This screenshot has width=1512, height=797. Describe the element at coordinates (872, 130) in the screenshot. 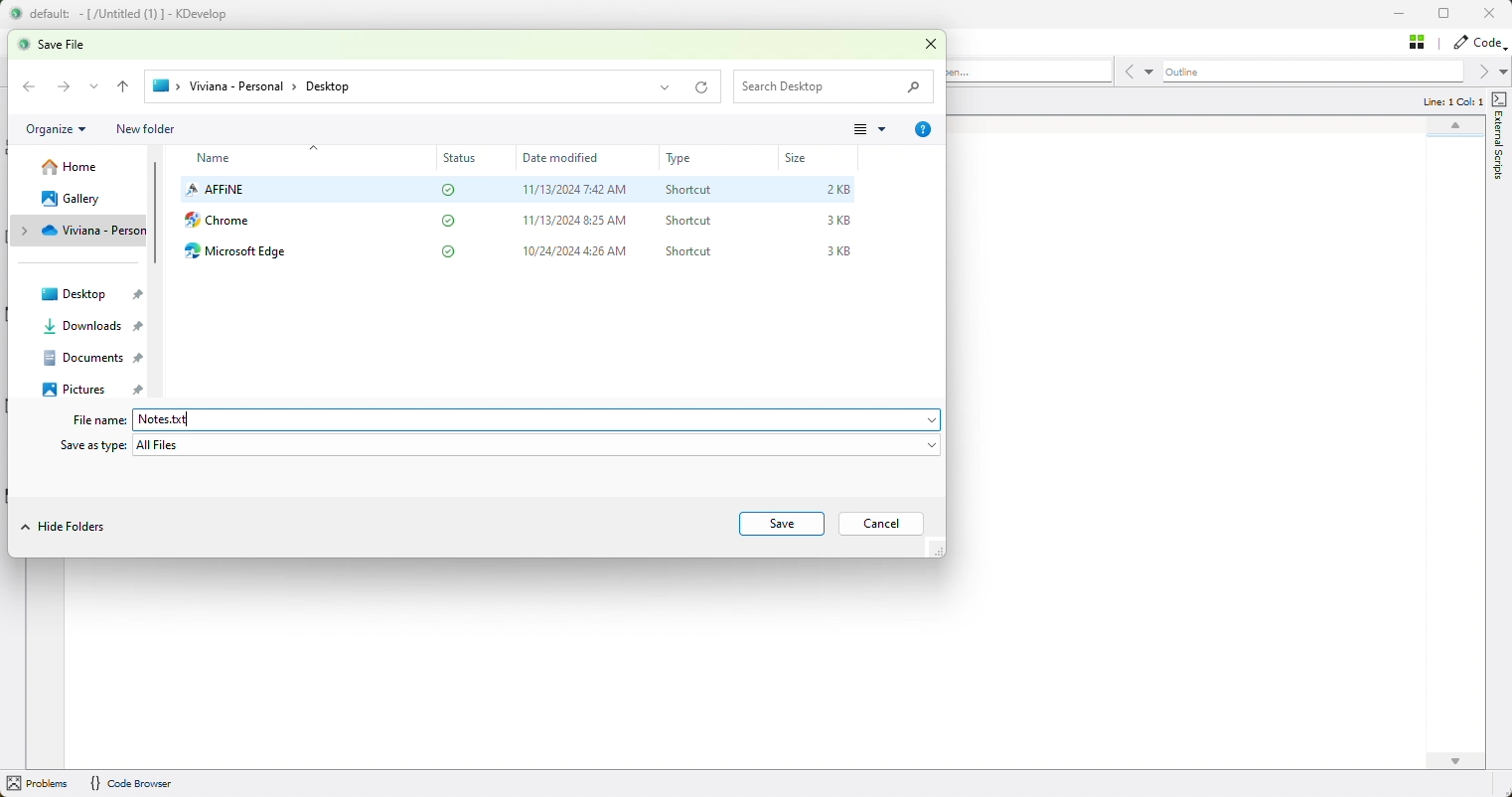

I see `more options` at that location.